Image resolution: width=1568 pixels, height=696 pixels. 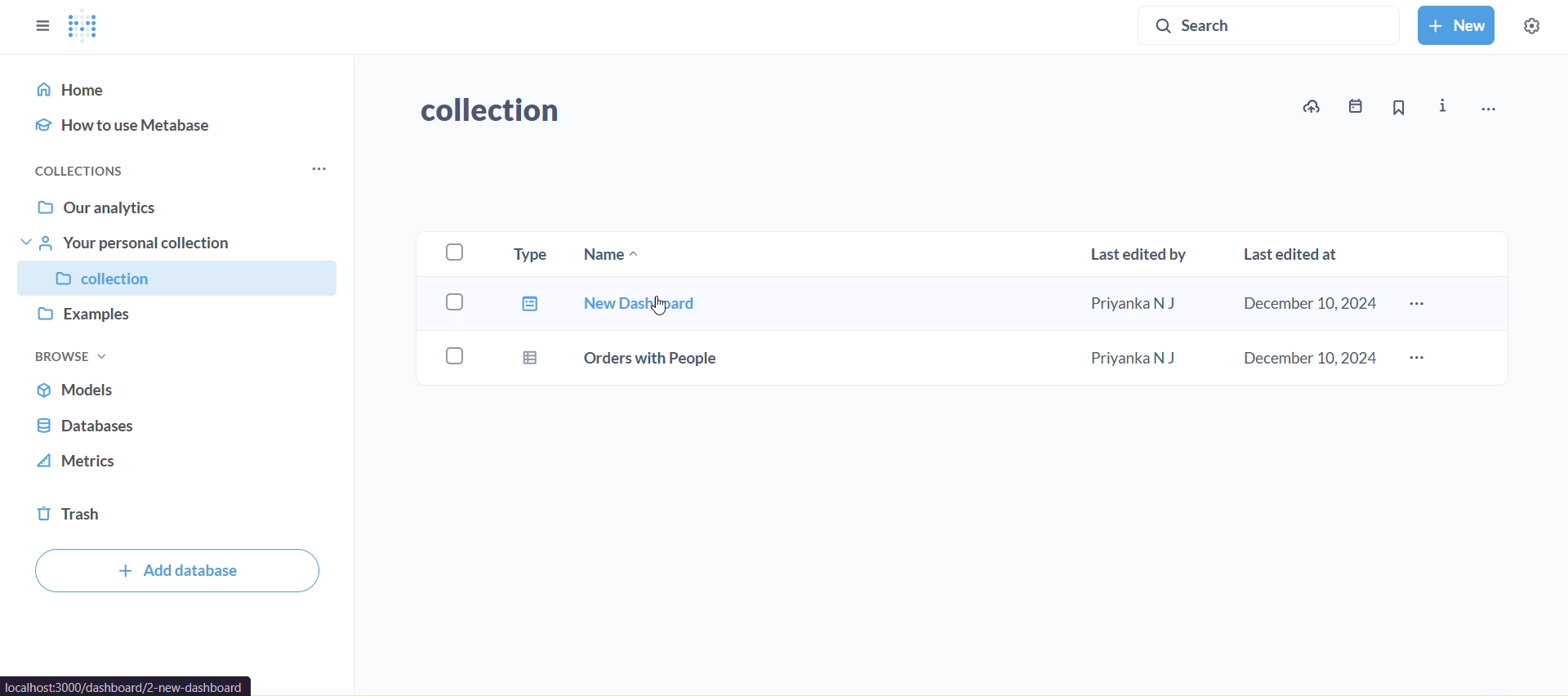 I want to click on browse, so click(x=72, y=357).